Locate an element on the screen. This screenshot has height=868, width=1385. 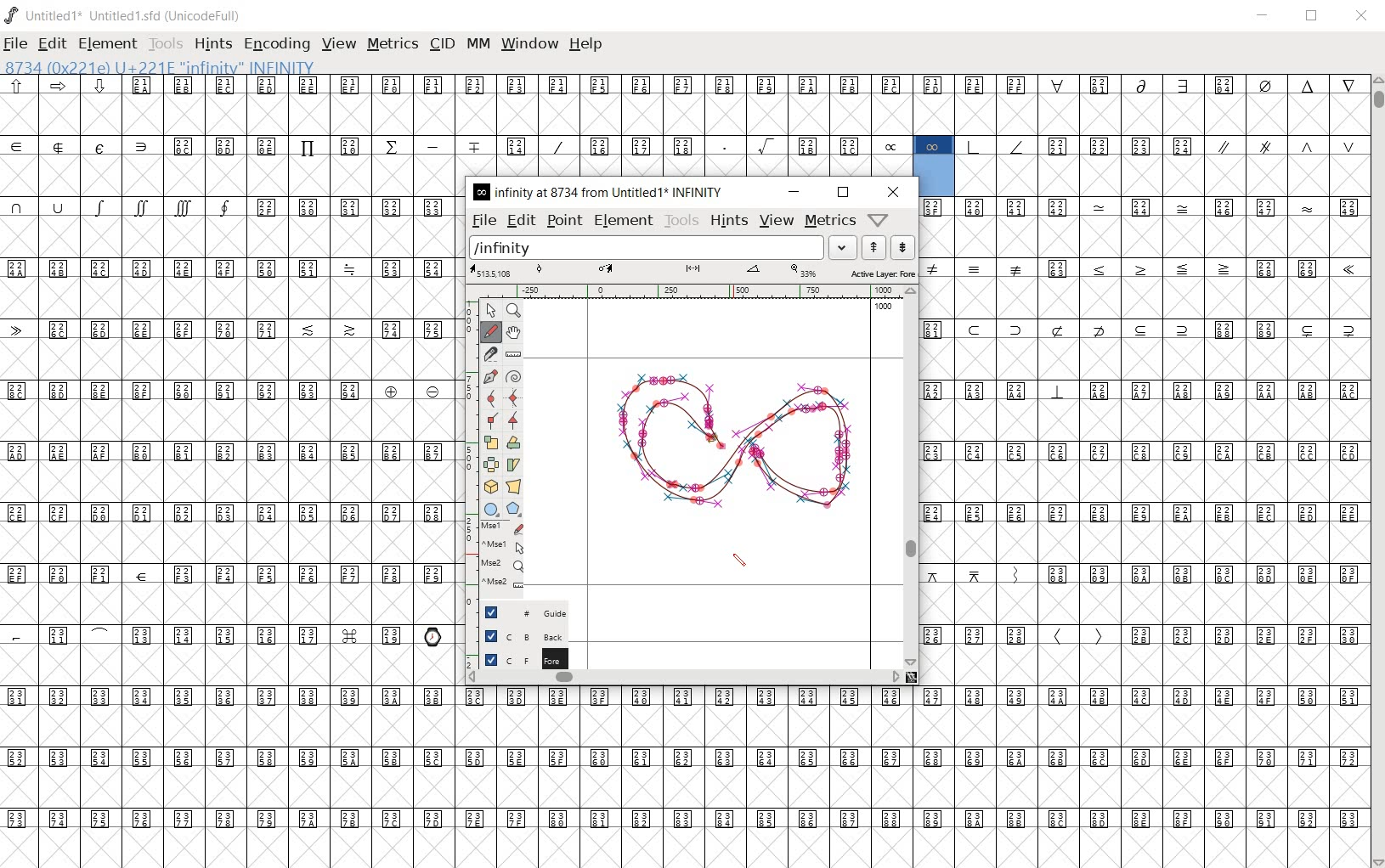
Unicode code points is located at coordinates (1098, 573).